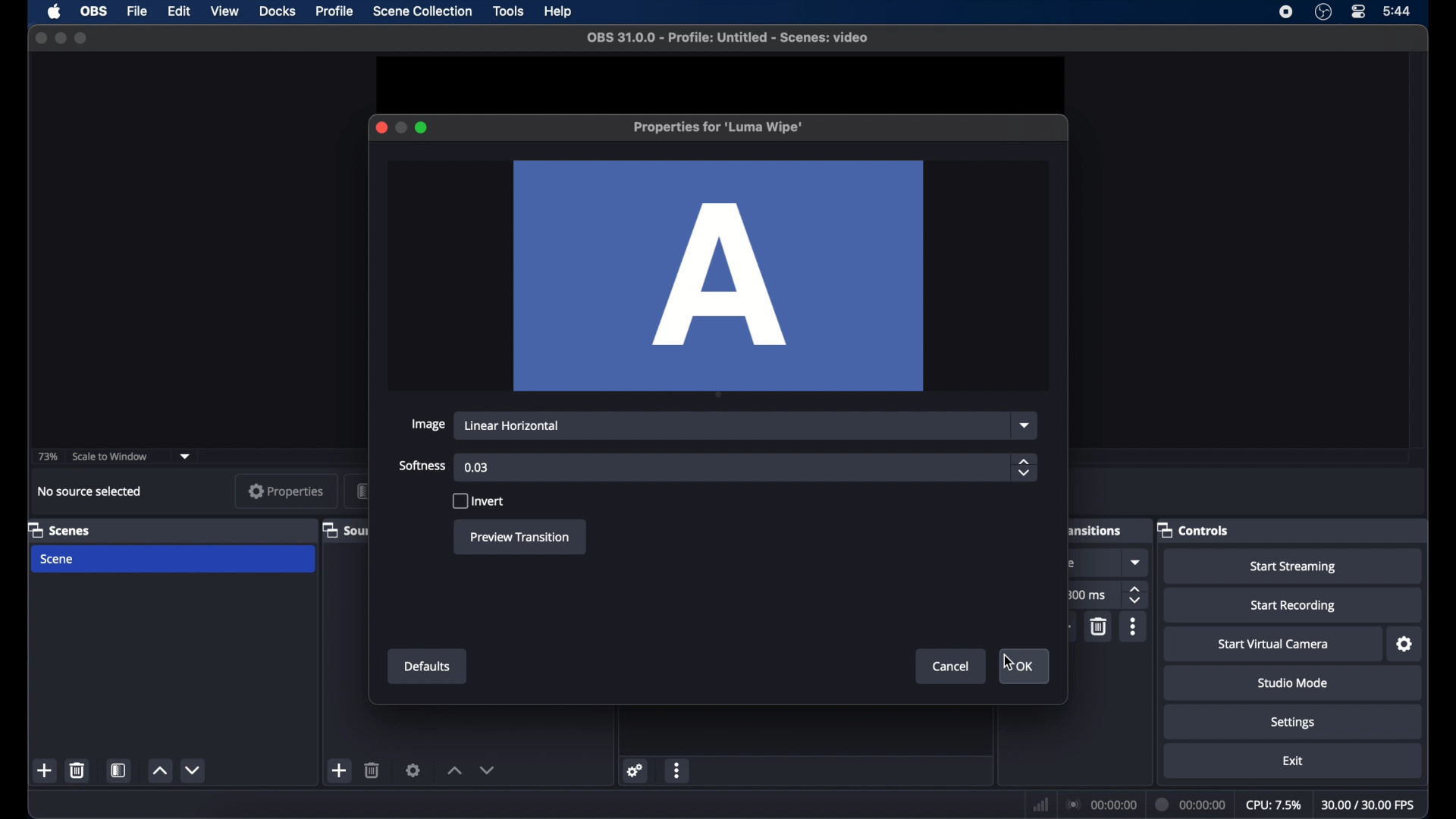 The width and height of the screenshot is (1456, 819). I want to click on edit, so click(179, 12).